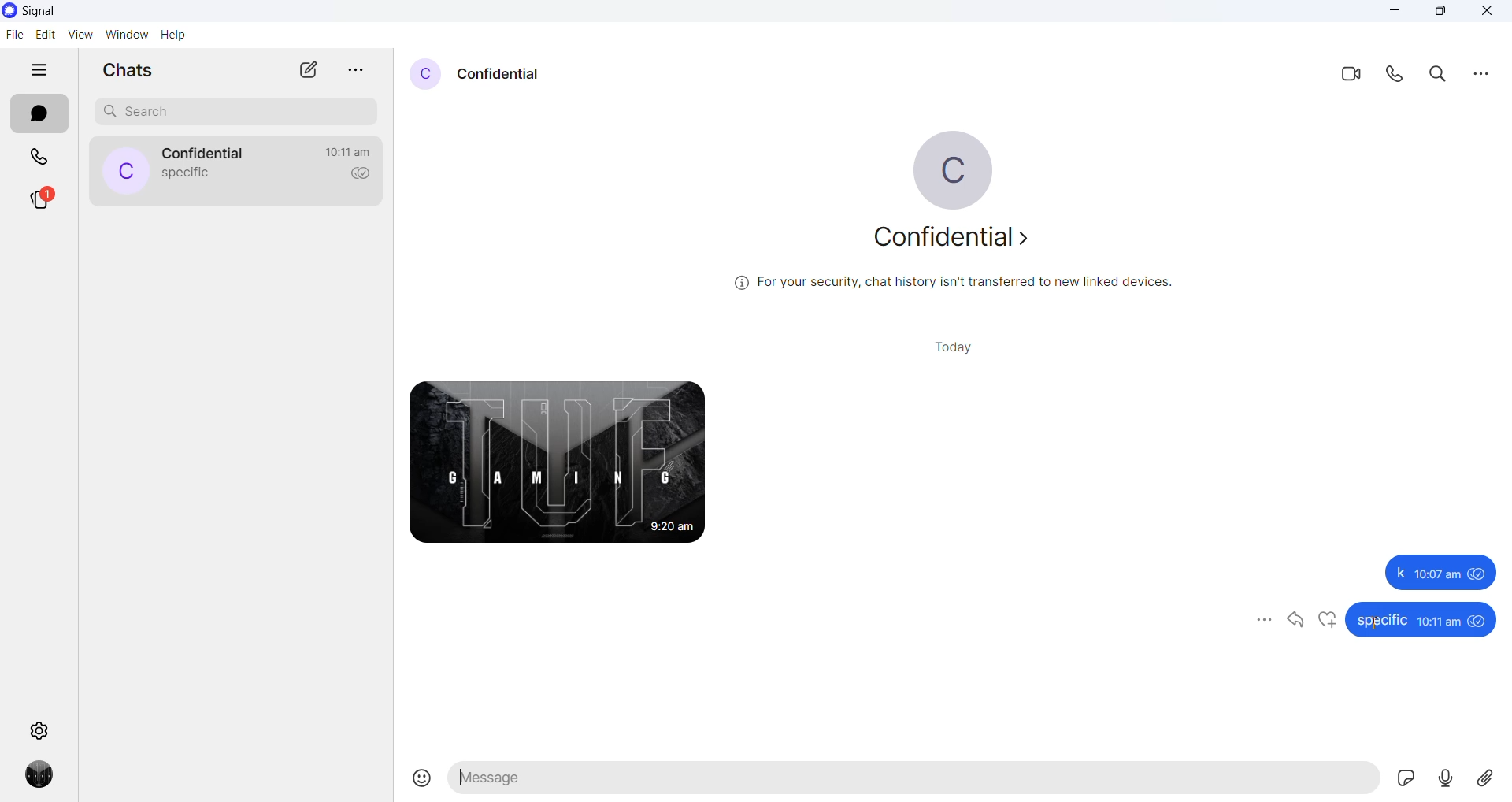 The height and width of the screenshot is (802, 1512). I want to click on 10:07 am, so click(1436, 572).